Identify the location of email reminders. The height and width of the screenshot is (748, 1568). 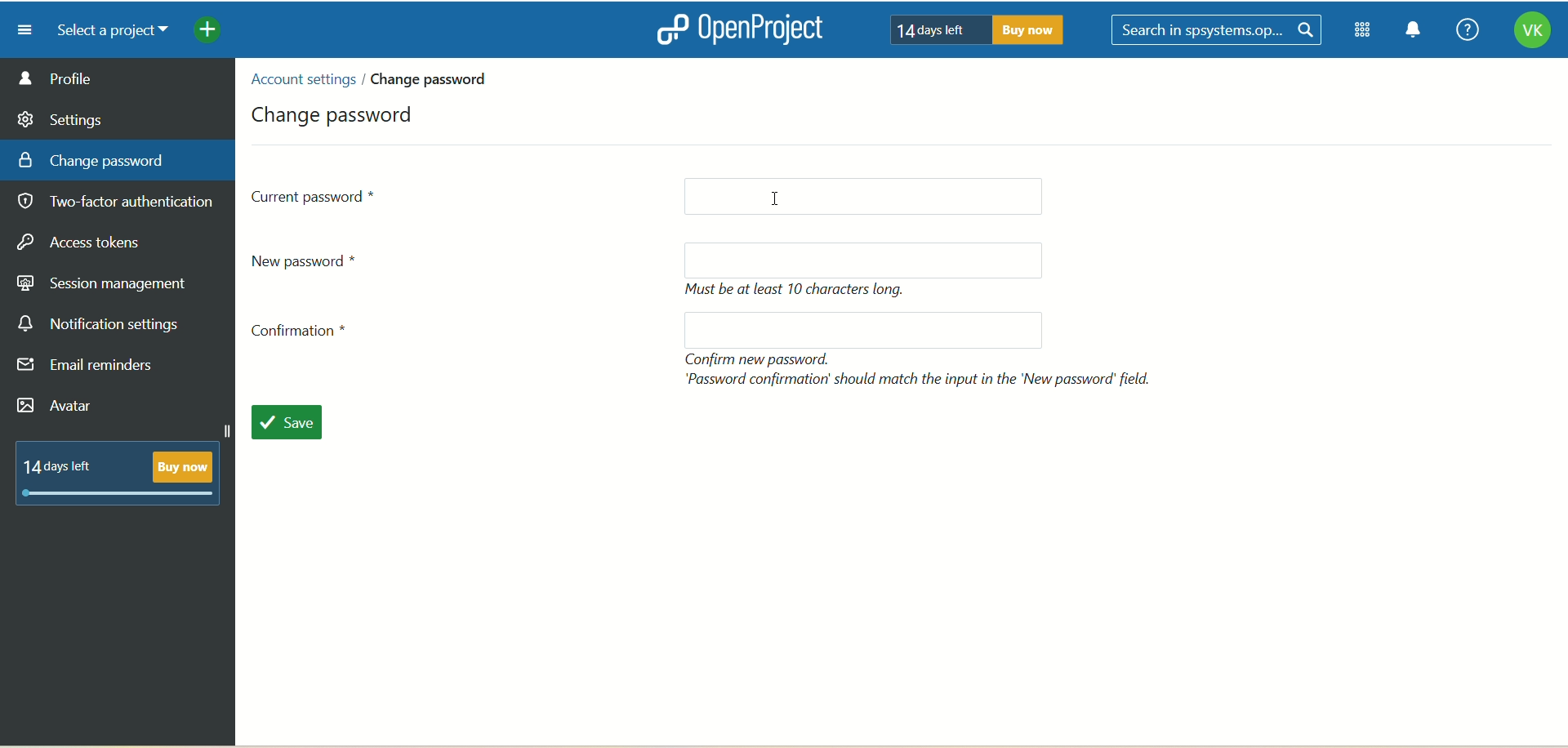
(90, 368).